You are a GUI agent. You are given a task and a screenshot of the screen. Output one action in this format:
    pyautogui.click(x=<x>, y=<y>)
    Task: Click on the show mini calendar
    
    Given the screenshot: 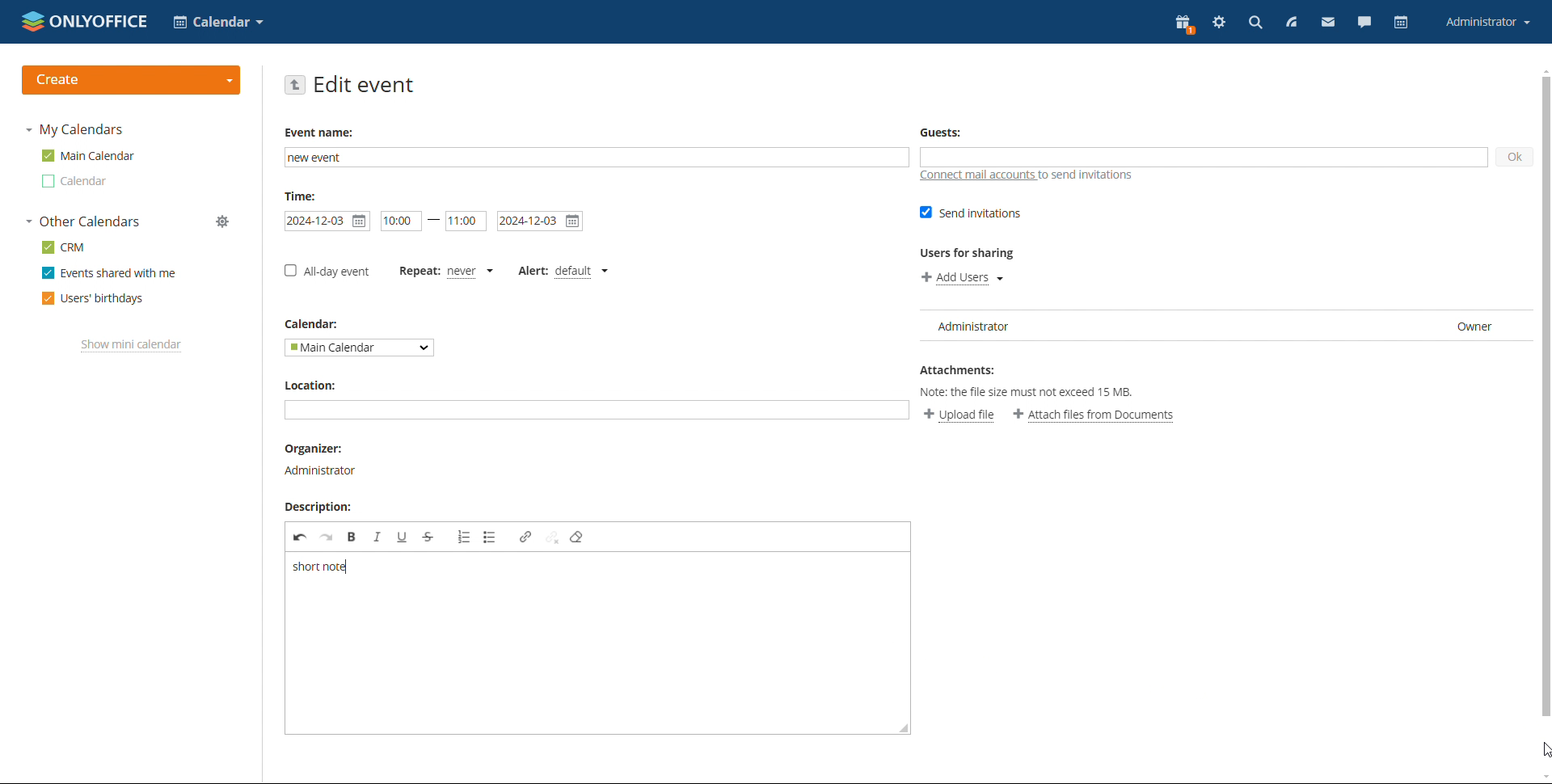 What is the action you would take?
    pyautogui.click(x=132, y=346)
    